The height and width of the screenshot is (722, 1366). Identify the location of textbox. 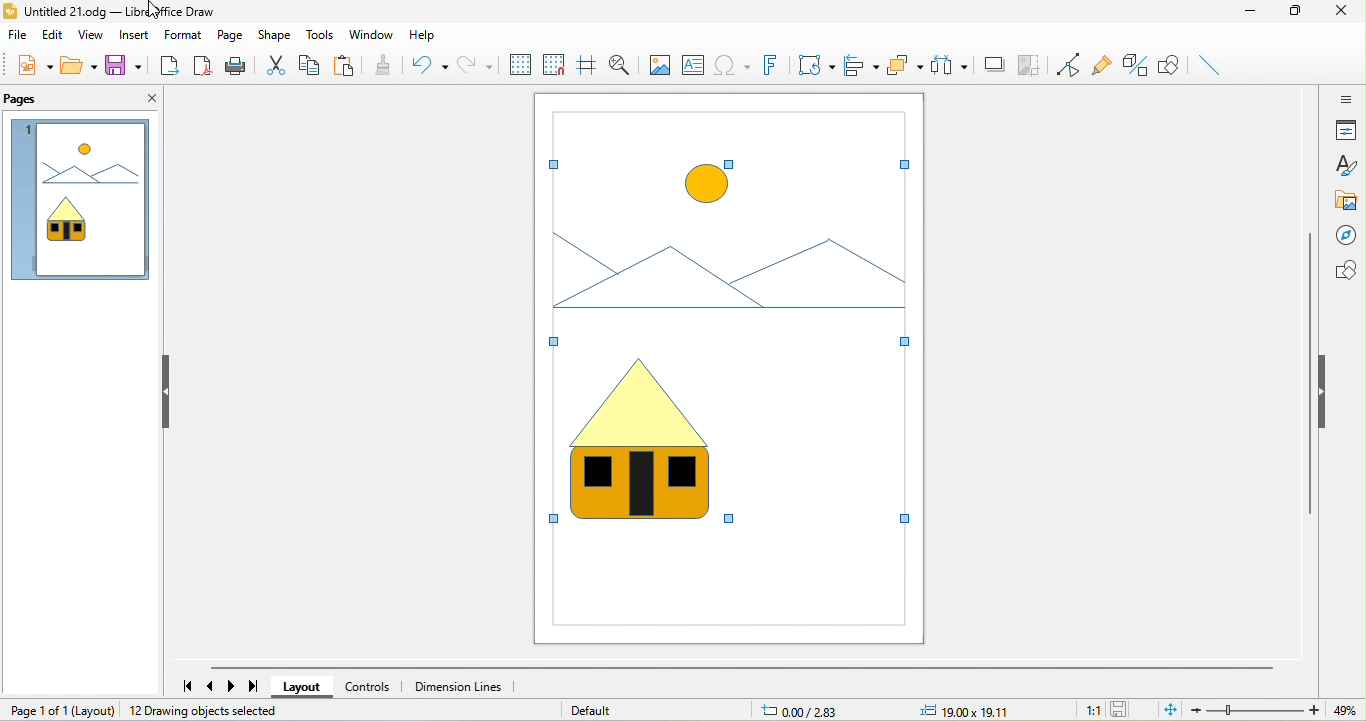
(693, 64).